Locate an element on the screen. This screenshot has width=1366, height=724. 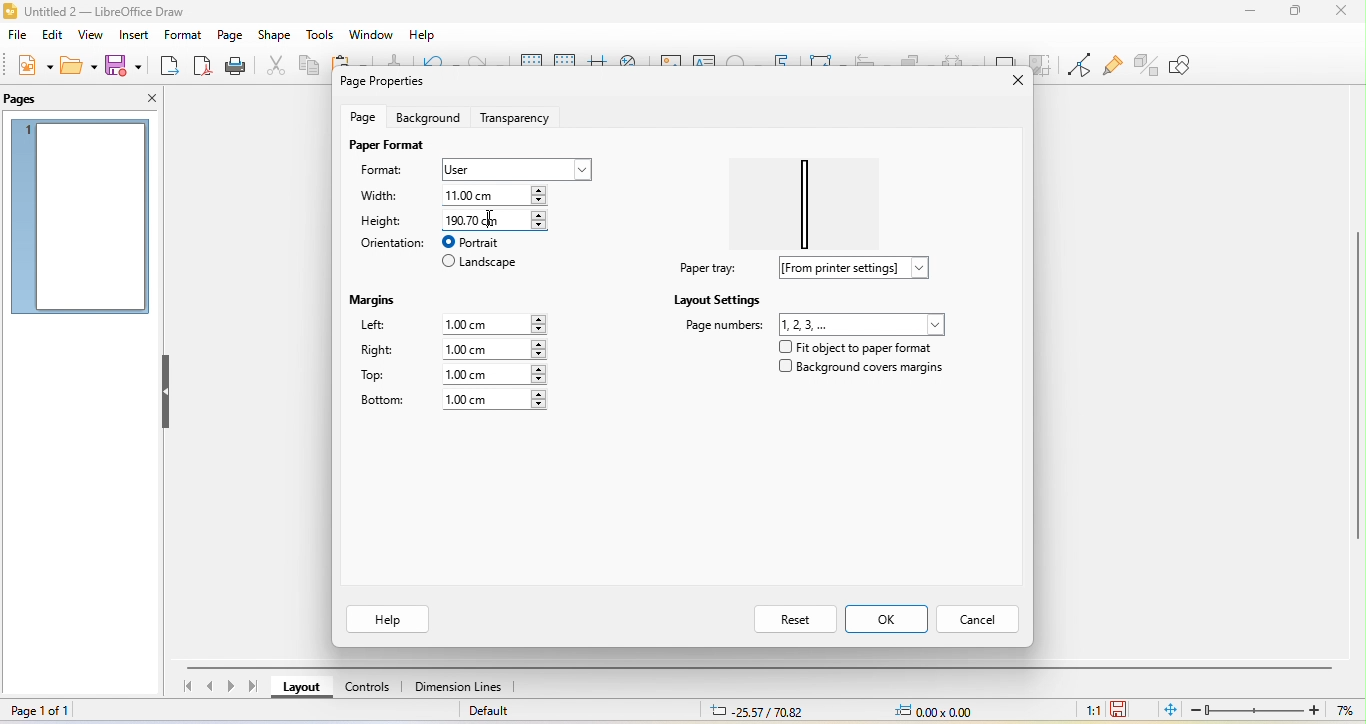
reset is located at coordinates (793, 618).